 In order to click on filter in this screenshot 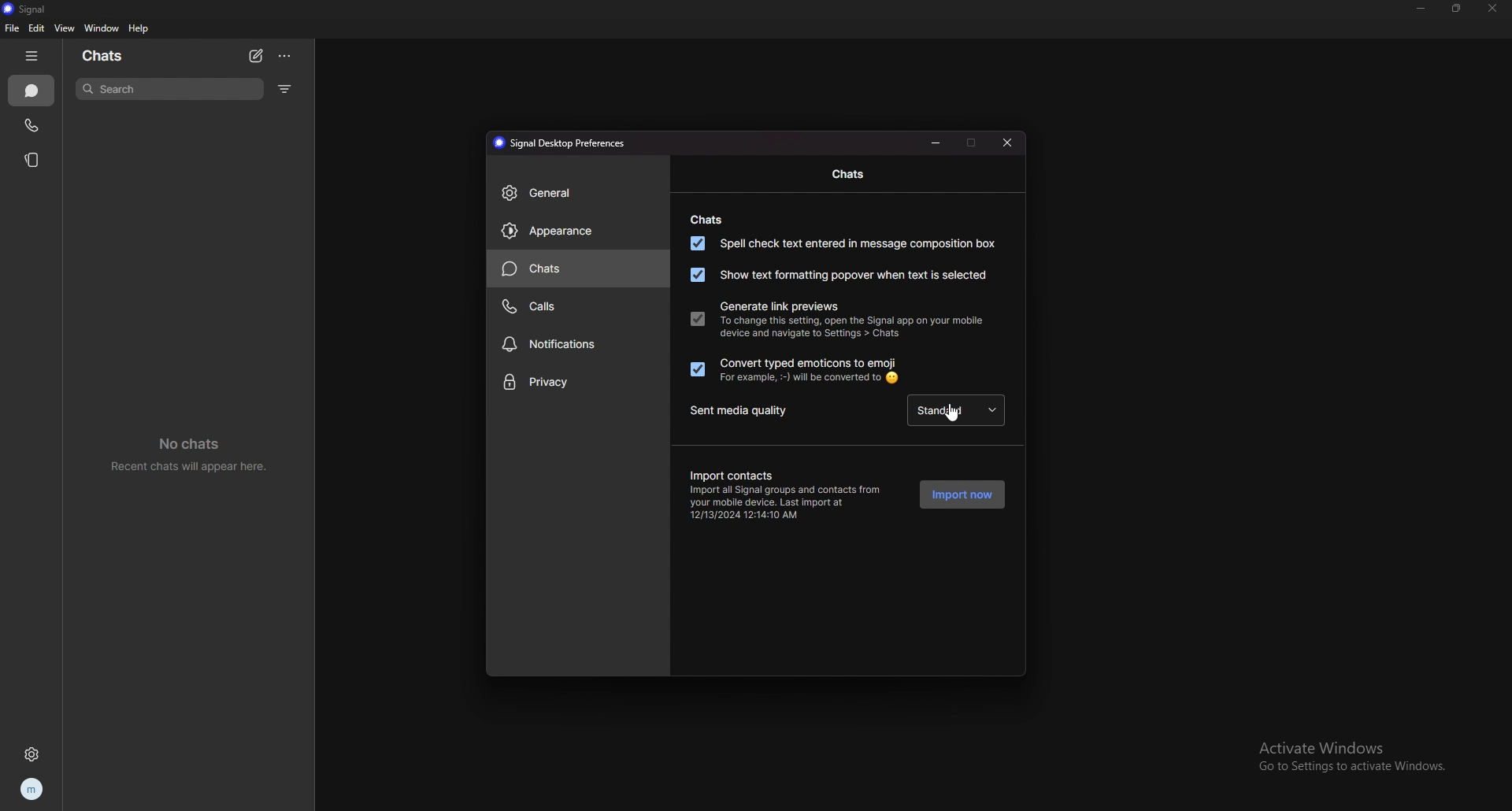, I will do `click(286, 88)`.